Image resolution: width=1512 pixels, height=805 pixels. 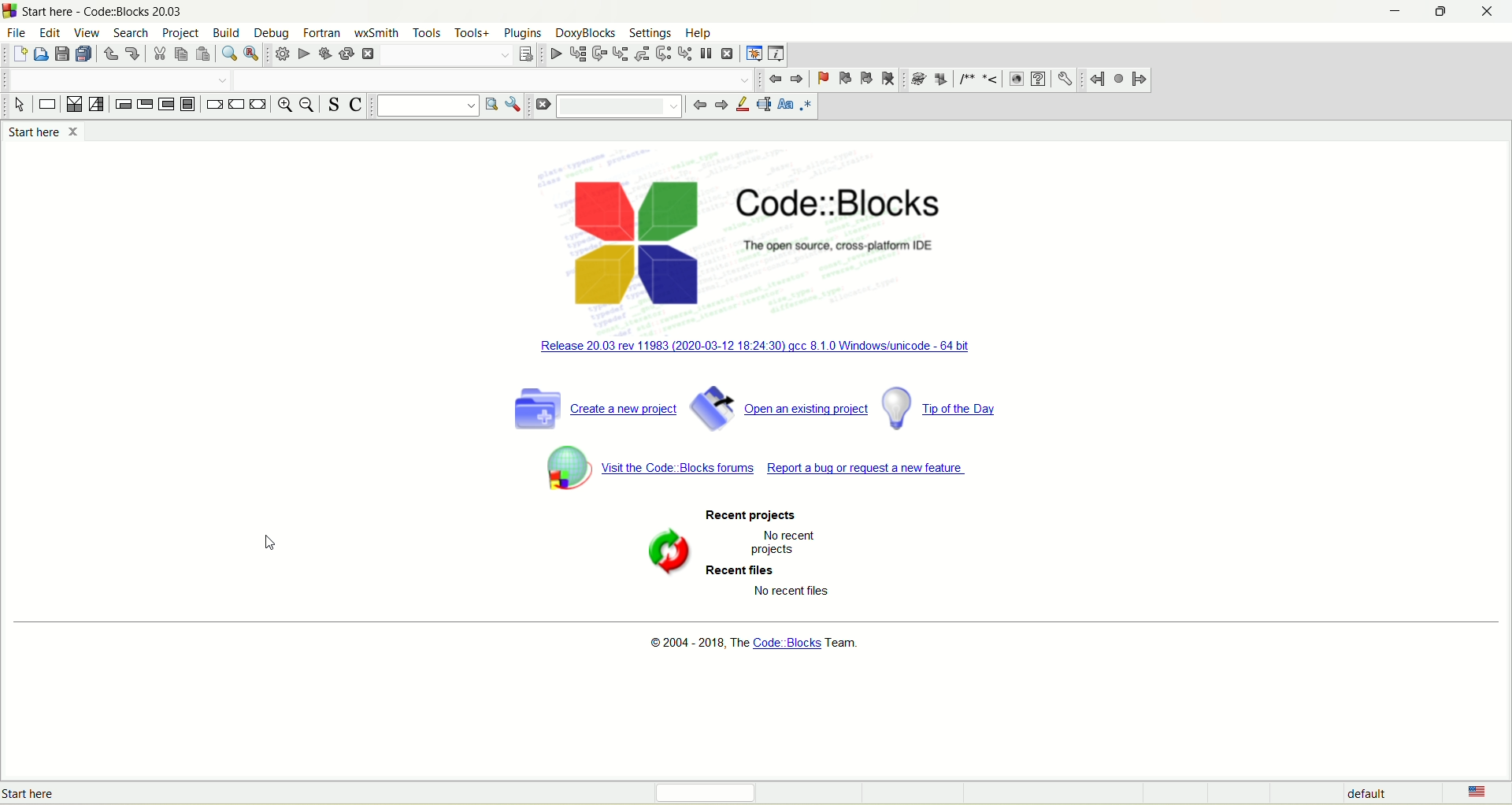 I want to click on code::block, so click(x=105, y=12).